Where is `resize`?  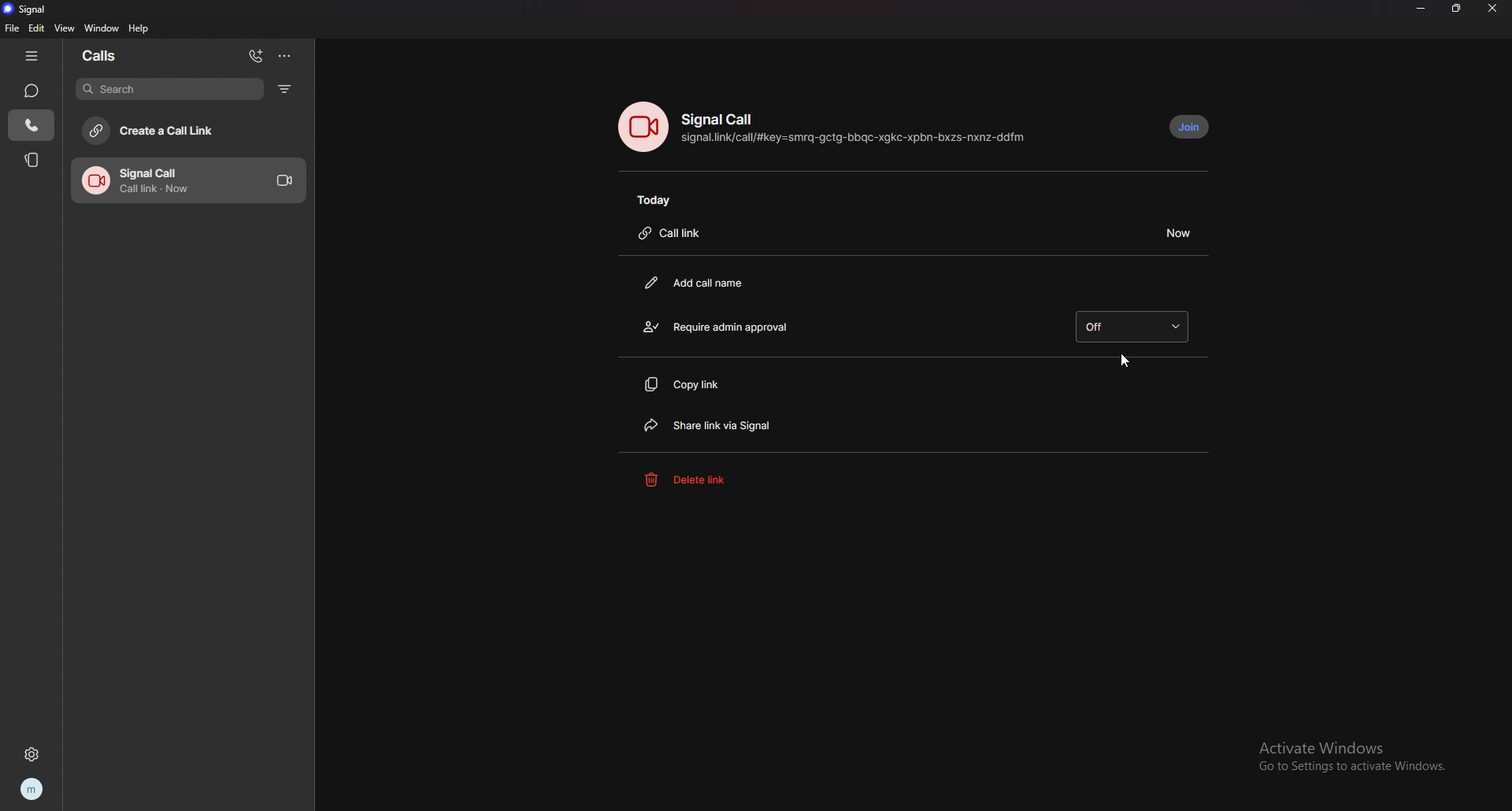
resize is located at coordinates (1458, 8).